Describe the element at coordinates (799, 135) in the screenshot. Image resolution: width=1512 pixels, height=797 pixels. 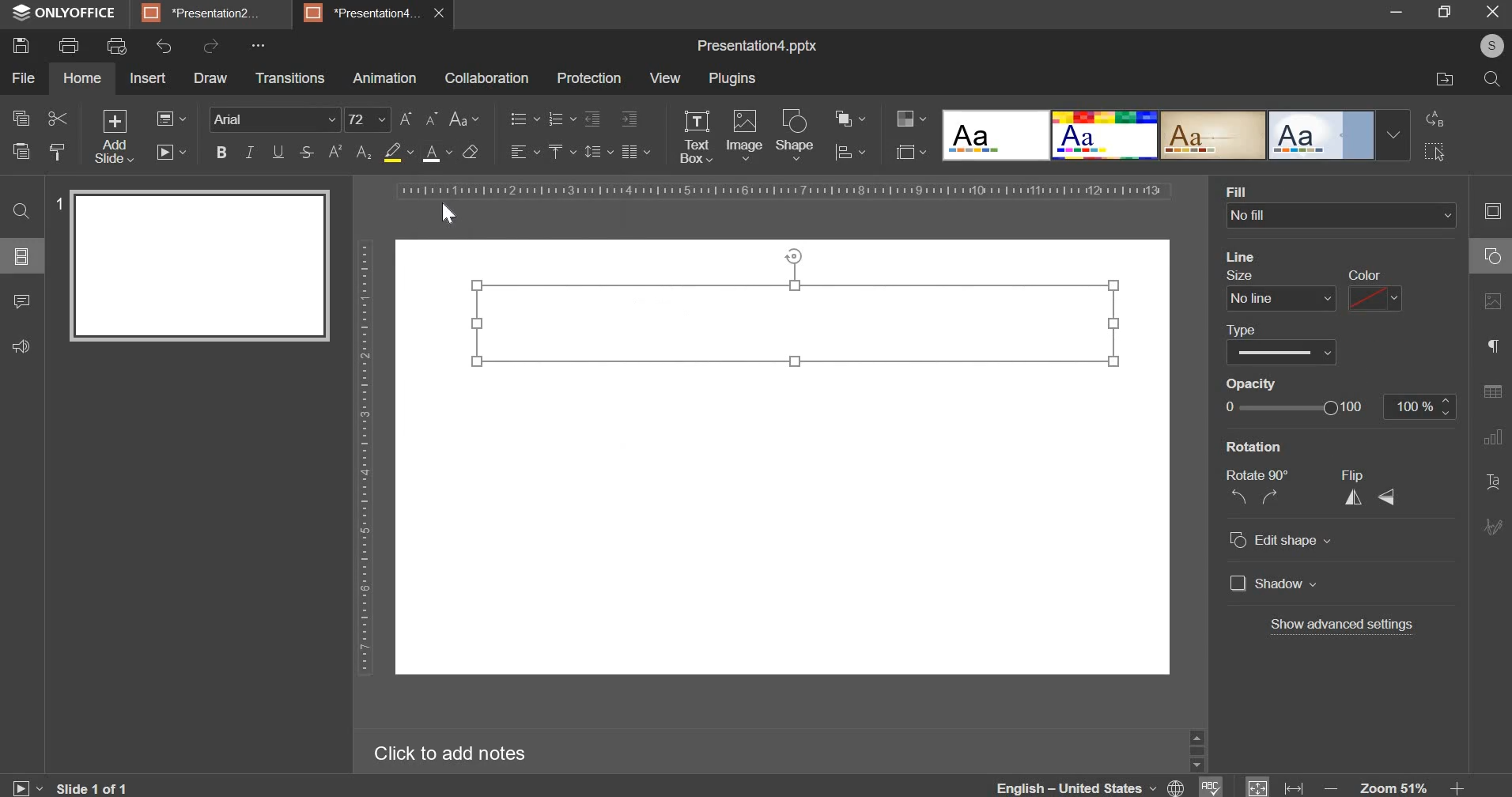
I see `shape` at that location.